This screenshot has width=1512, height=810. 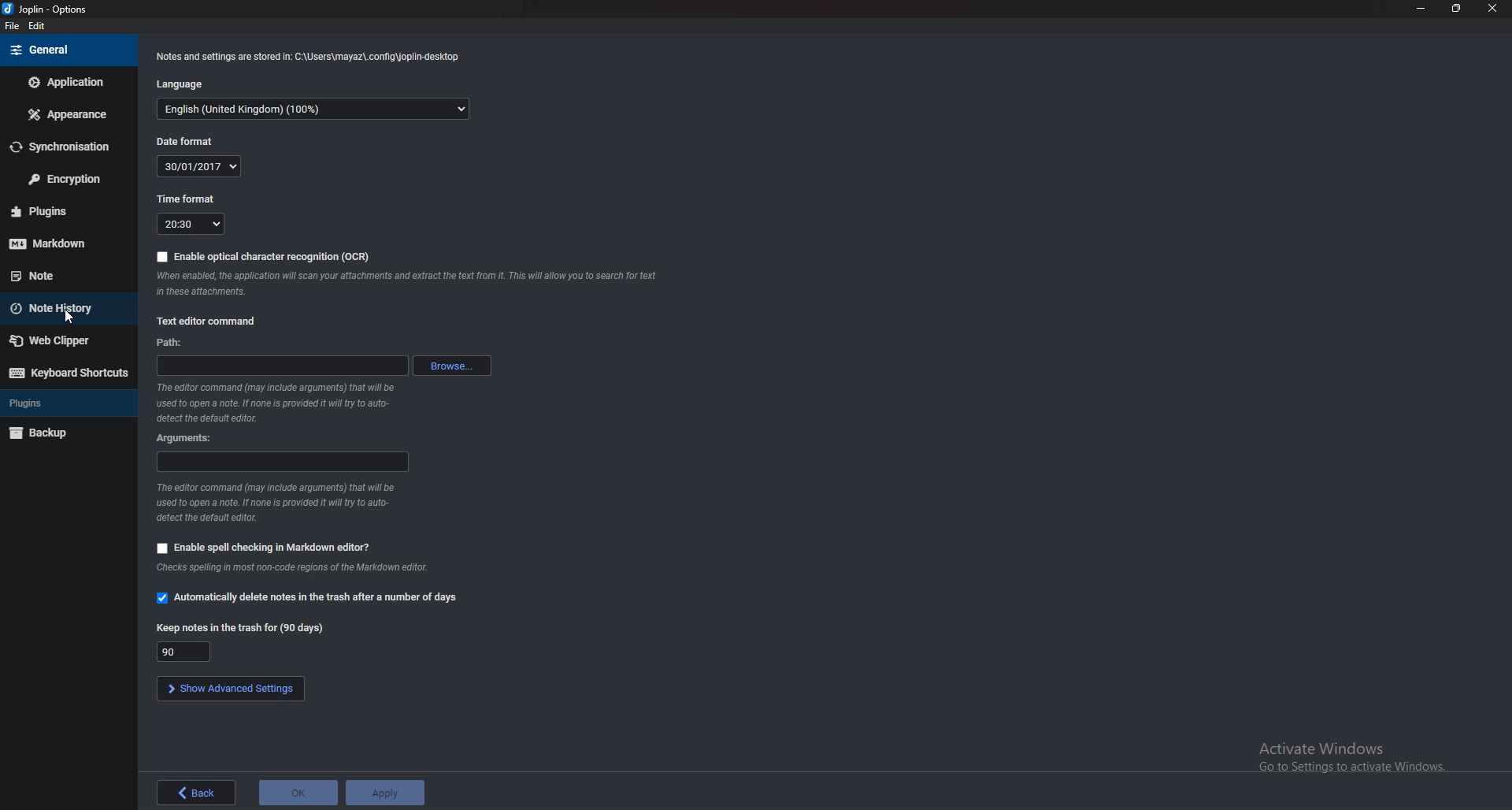 I want to click on cursor, so click(x=72, y=319).